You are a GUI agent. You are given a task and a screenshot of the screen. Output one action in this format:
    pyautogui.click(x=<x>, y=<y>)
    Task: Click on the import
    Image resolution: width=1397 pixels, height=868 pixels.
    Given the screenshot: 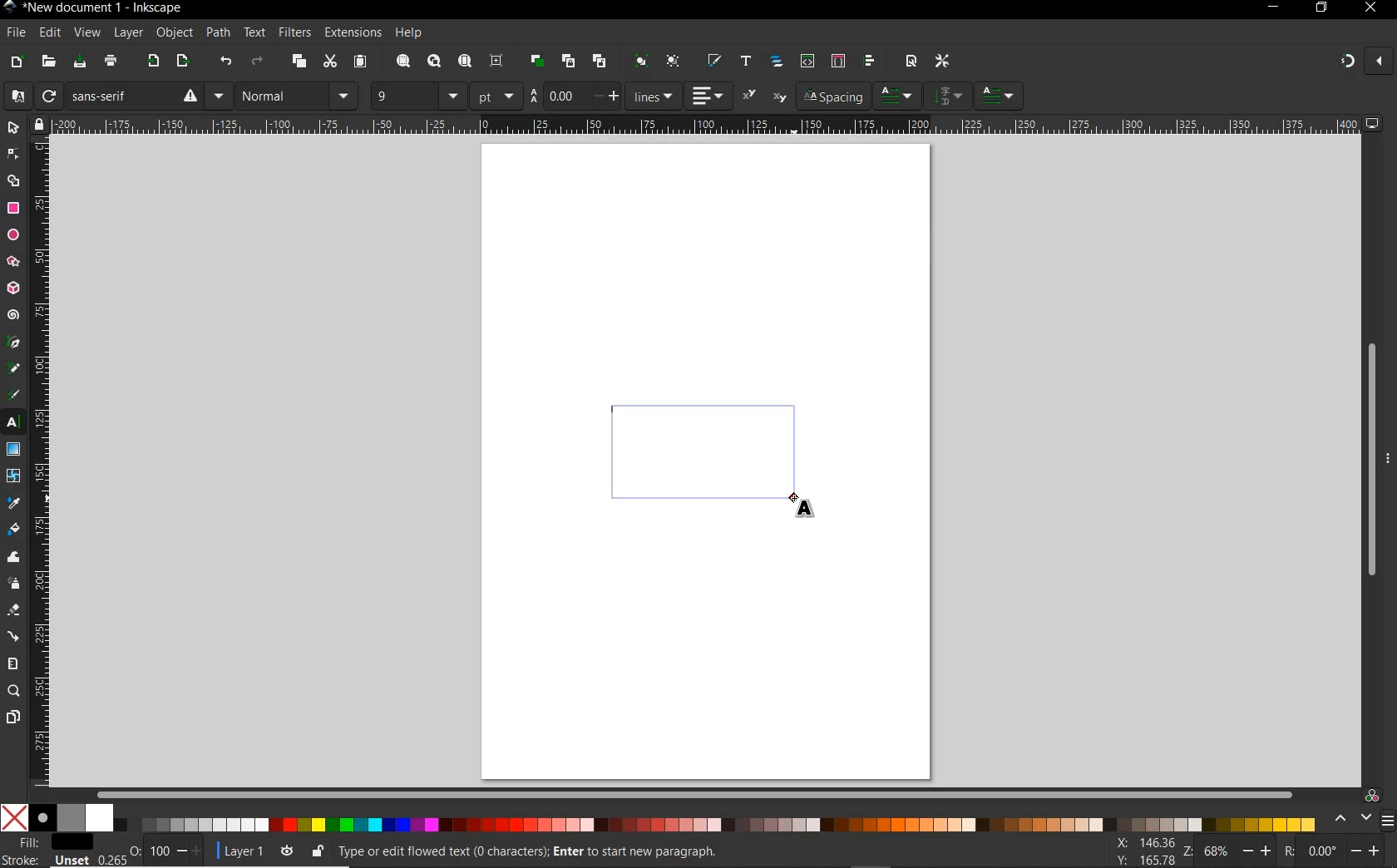 What is the action you would take?
    pyautogui.click(x=152, y=62)
    